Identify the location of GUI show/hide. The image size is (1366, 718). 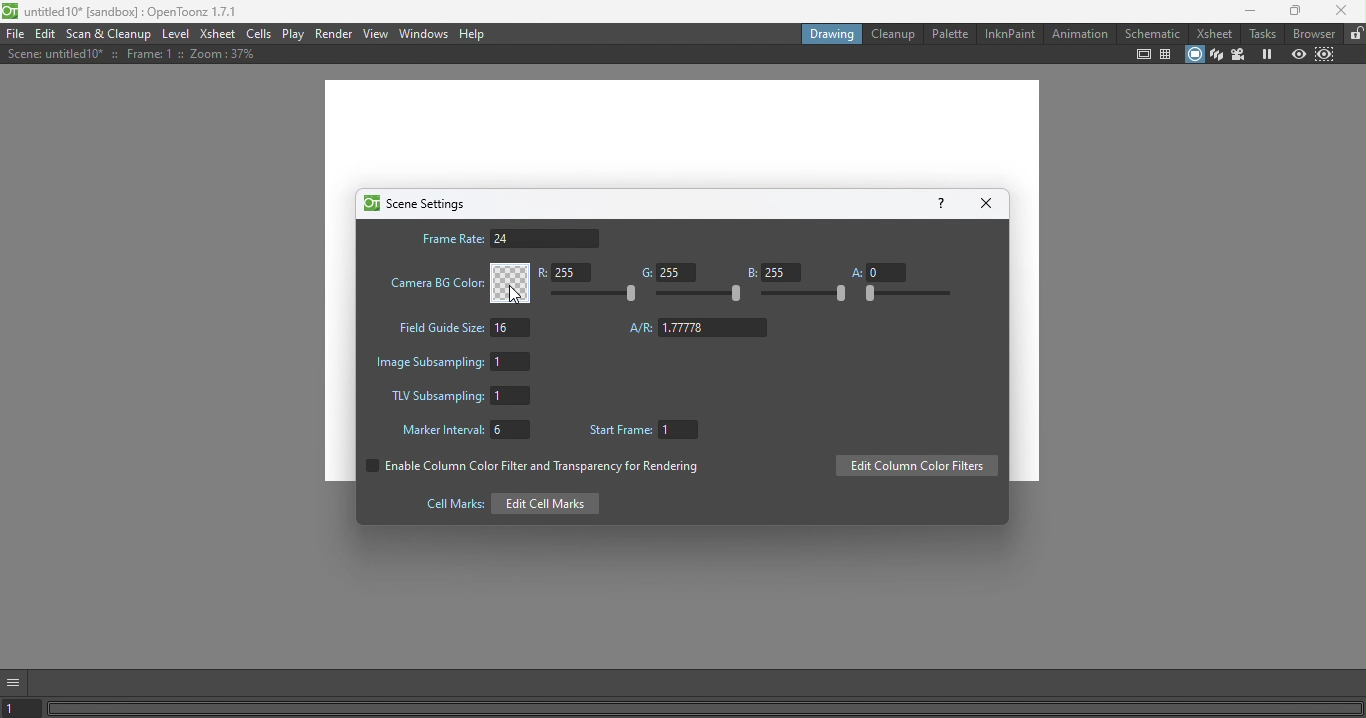
(17, 681).